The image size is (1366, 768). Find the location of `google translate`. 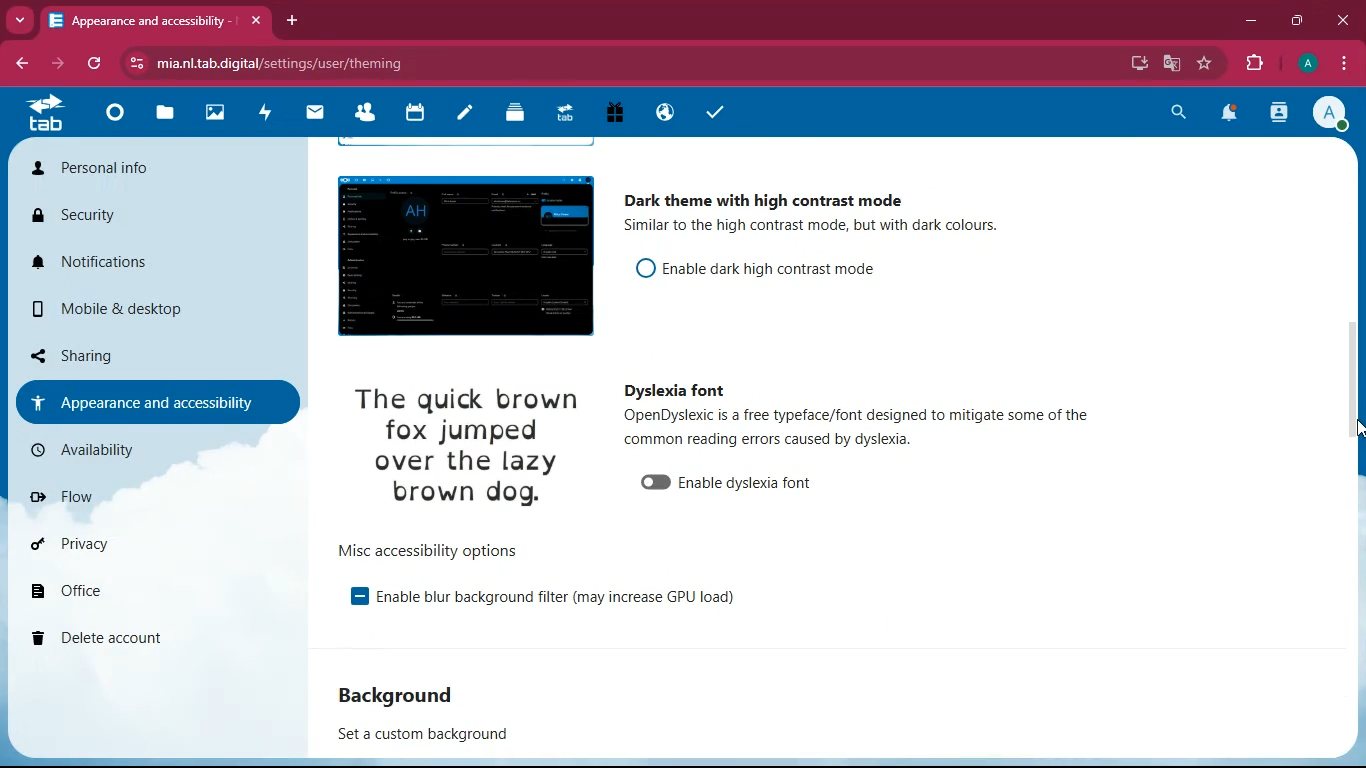

google translate is located at coordinates (1170, 64).